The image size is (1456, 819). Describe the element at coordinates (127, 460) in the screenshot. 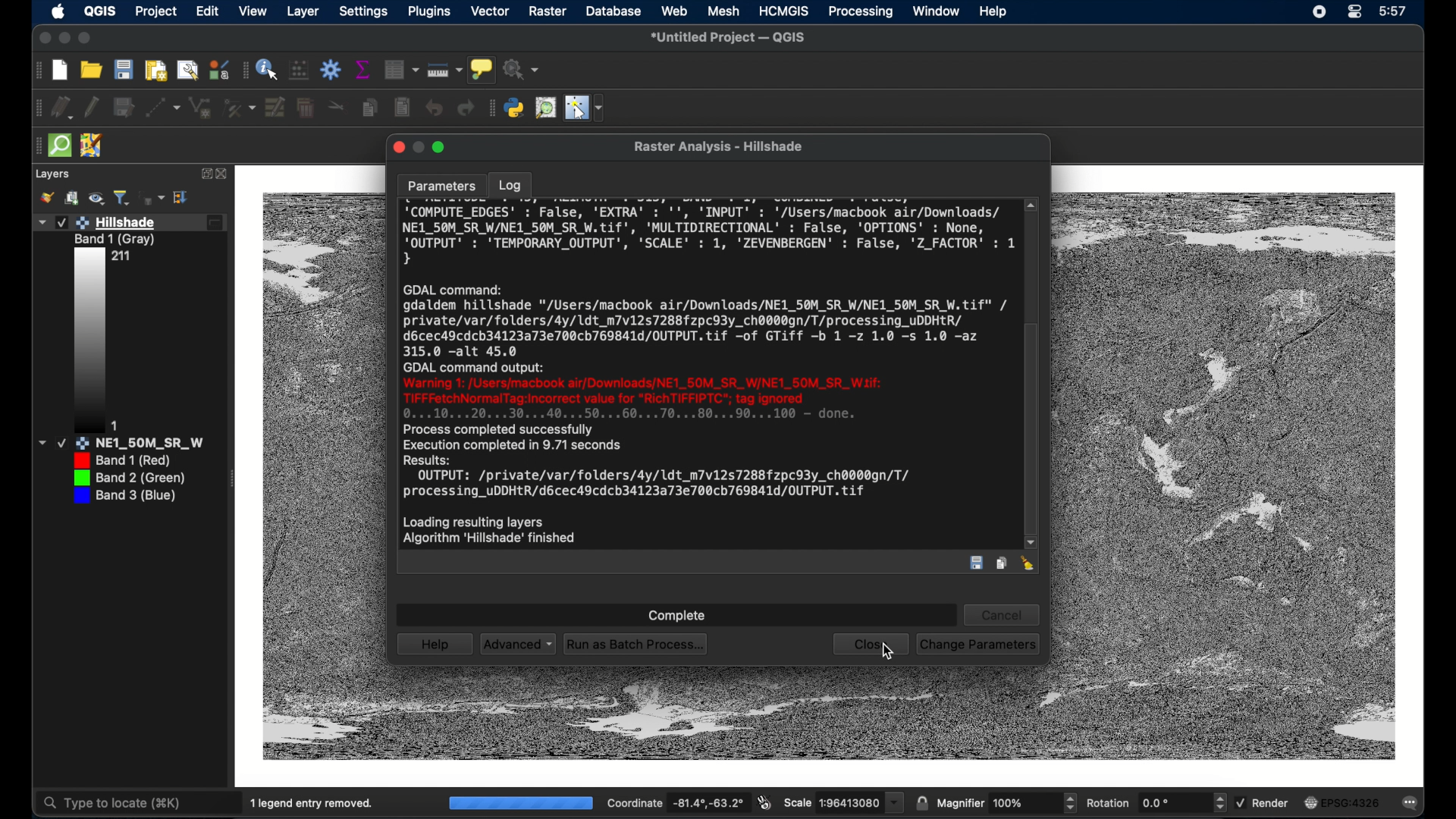

I see `Band 1 (red)` at that location.